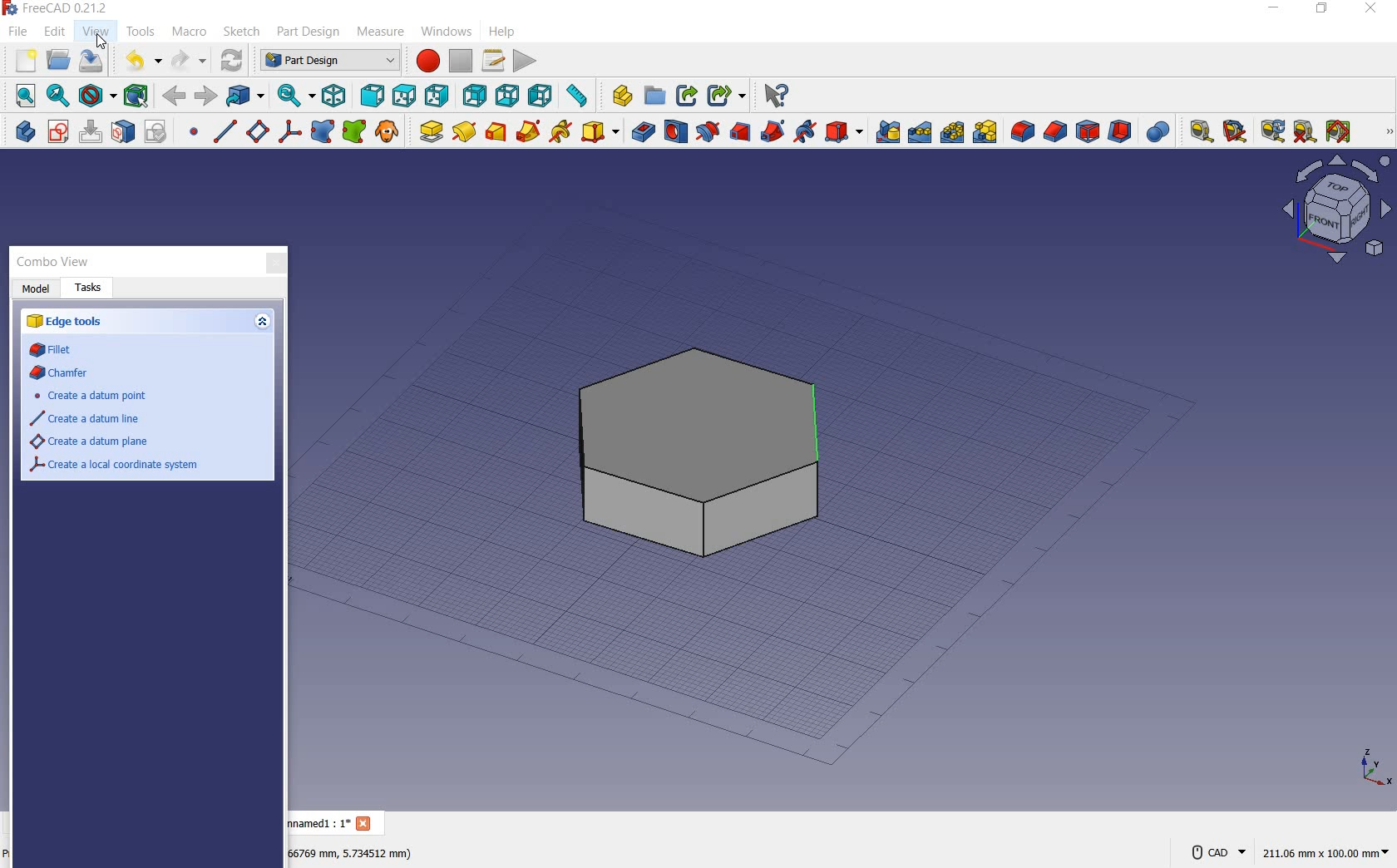 This screenshot has width=1397, height=868. What do you see at coordinates (1325, 855) in the screenshot?
I see `211.05 mm x 100.00 mm(dimension)` at bounding box center [1325, 855].